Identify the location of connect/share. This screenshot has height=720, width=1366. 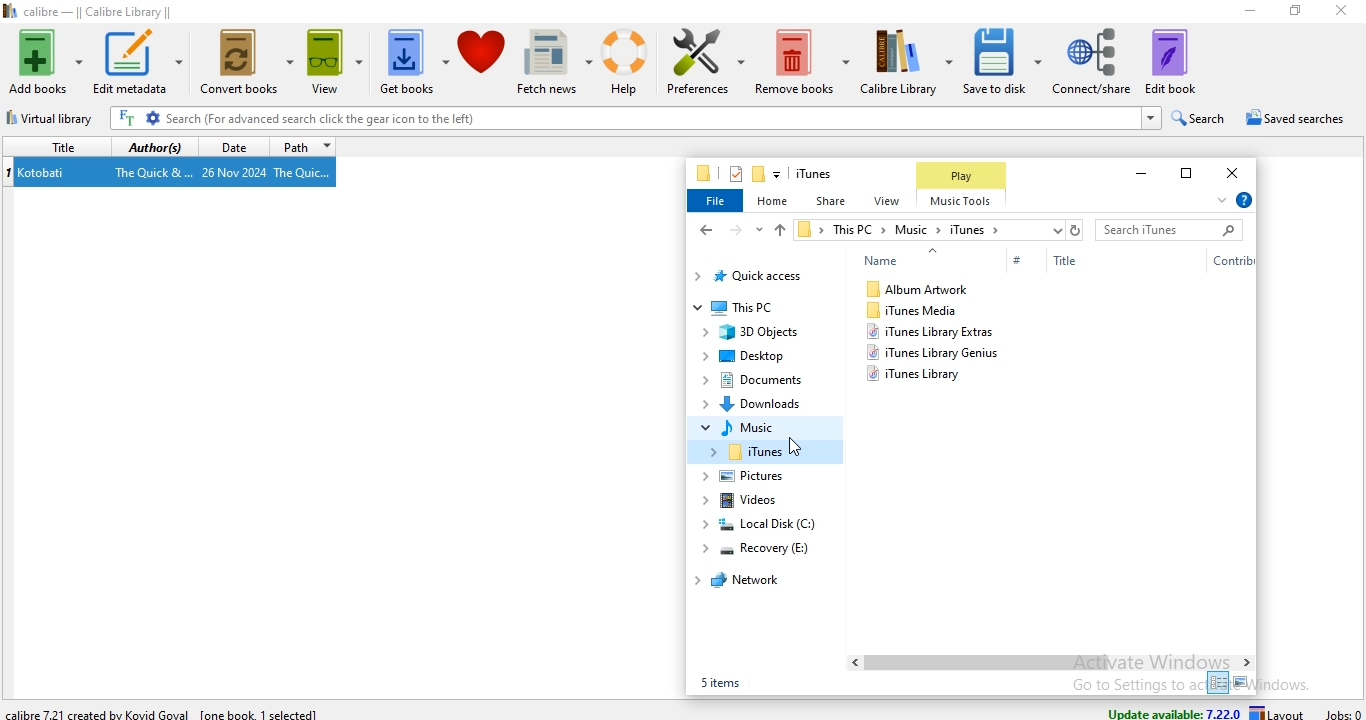
(1092, 61).